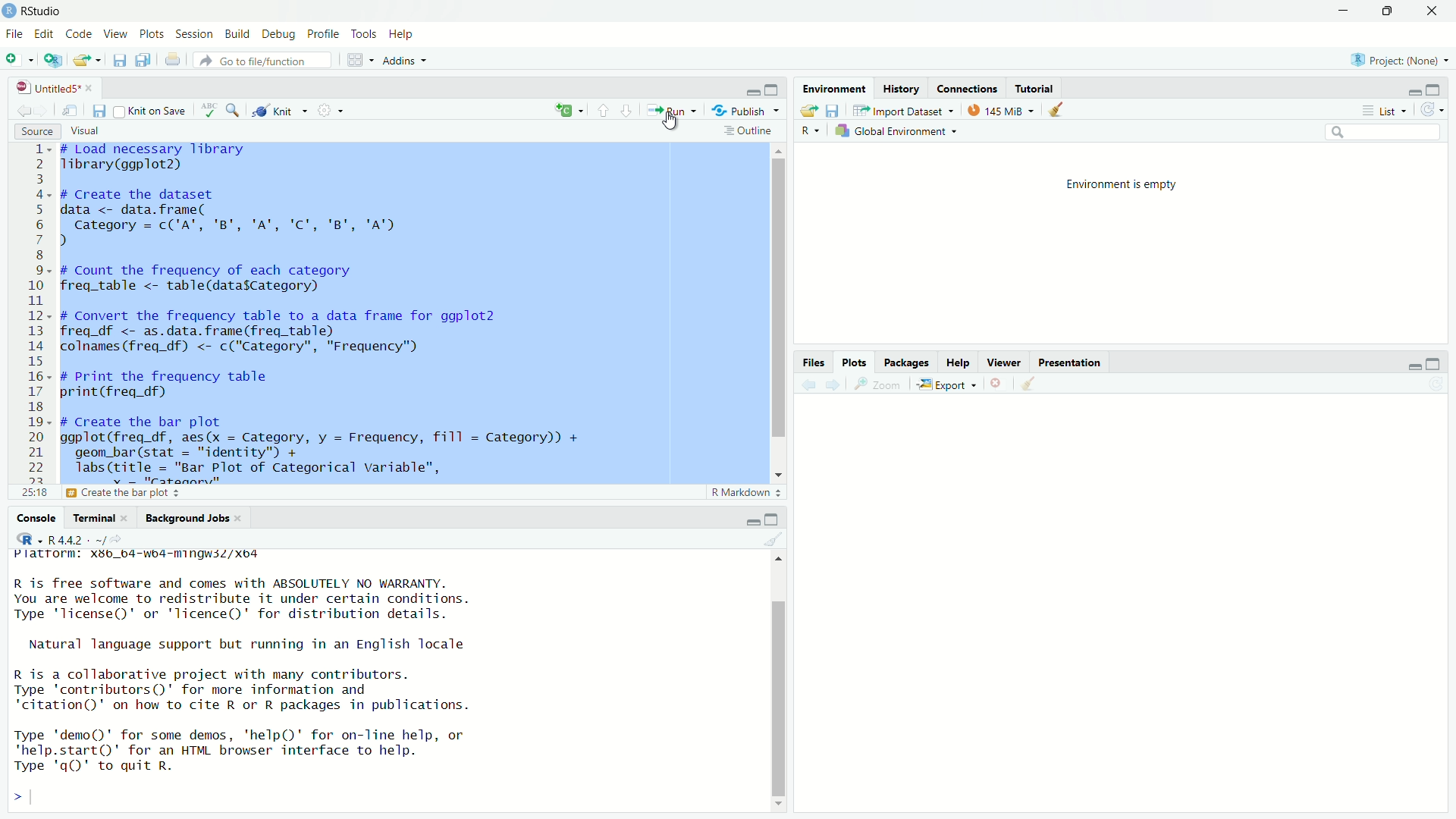  Describe the element at coordinates (12, 35) in the screenshot. I see `file` at that location.